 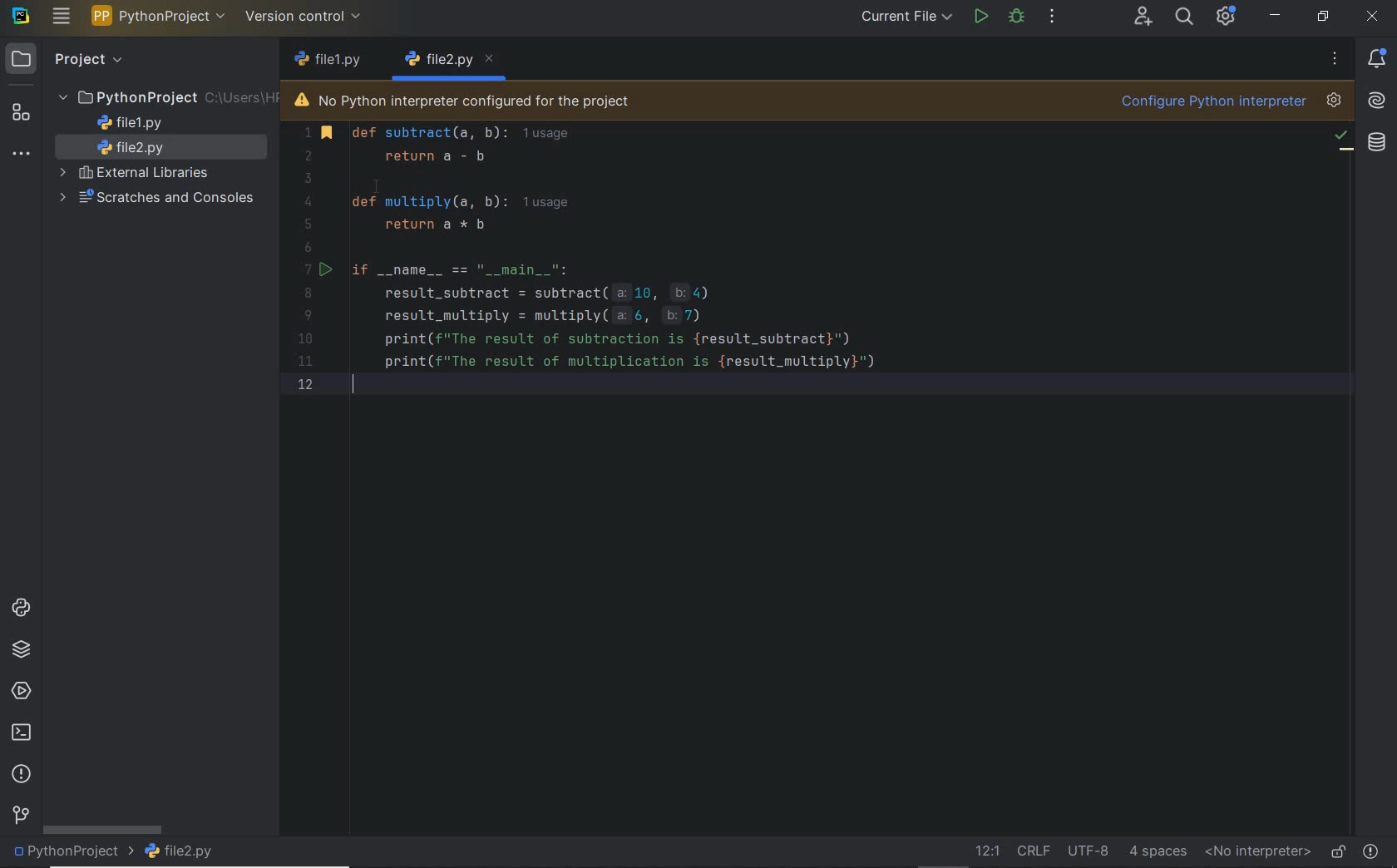 What do you see at coordinates (20, 609) in the screenshot?
I see `python consoles` at bounding box center [20, 609].